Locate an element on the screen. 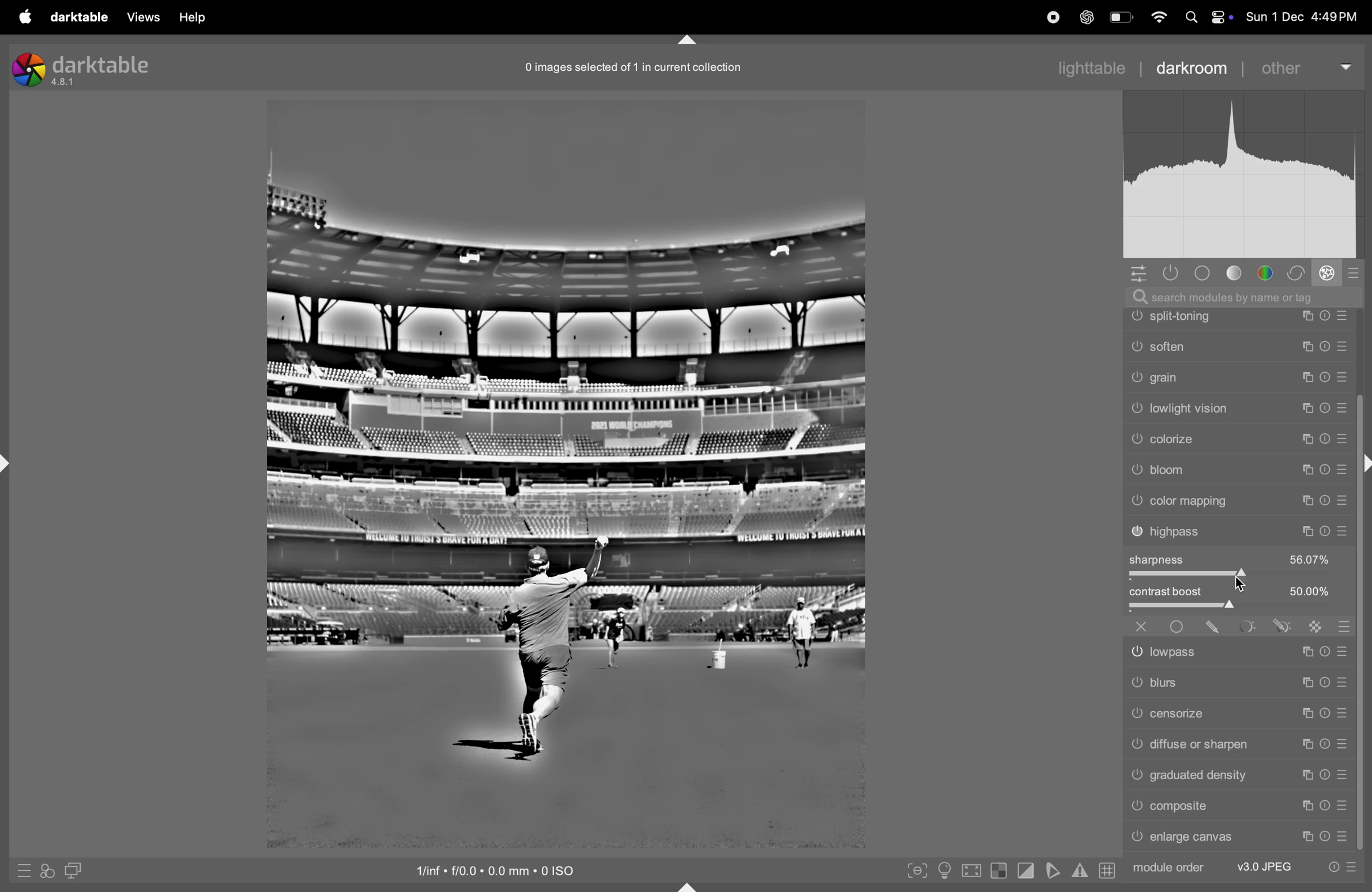 This screenshot has height=892, width=1372. difuse shapen is located at coordinates (1236, 743).